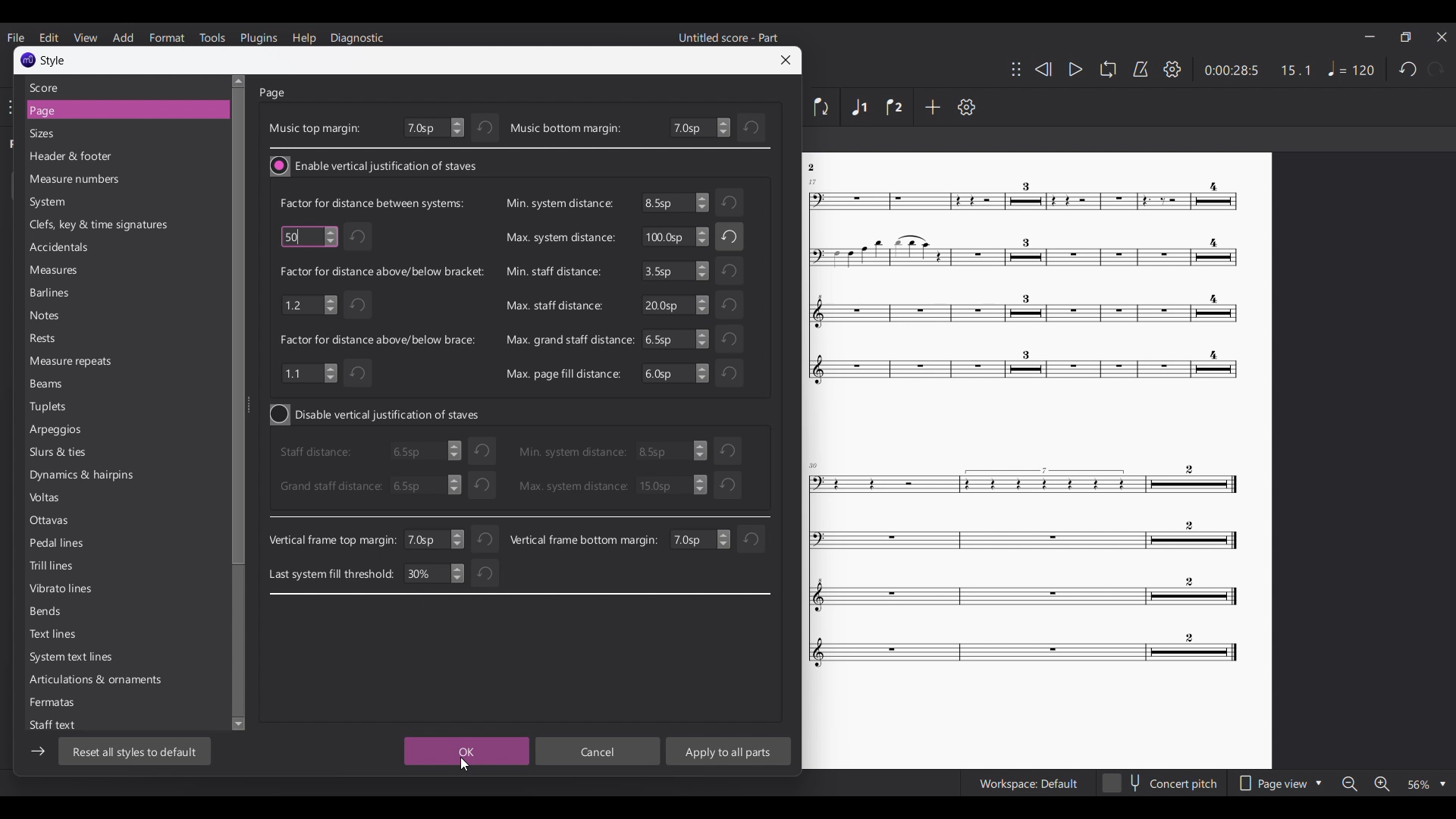 This screenshot has width=1456, height=819. Describe the element at coordinates (482, 576) in the screenshot. I see `Undo` at that location.